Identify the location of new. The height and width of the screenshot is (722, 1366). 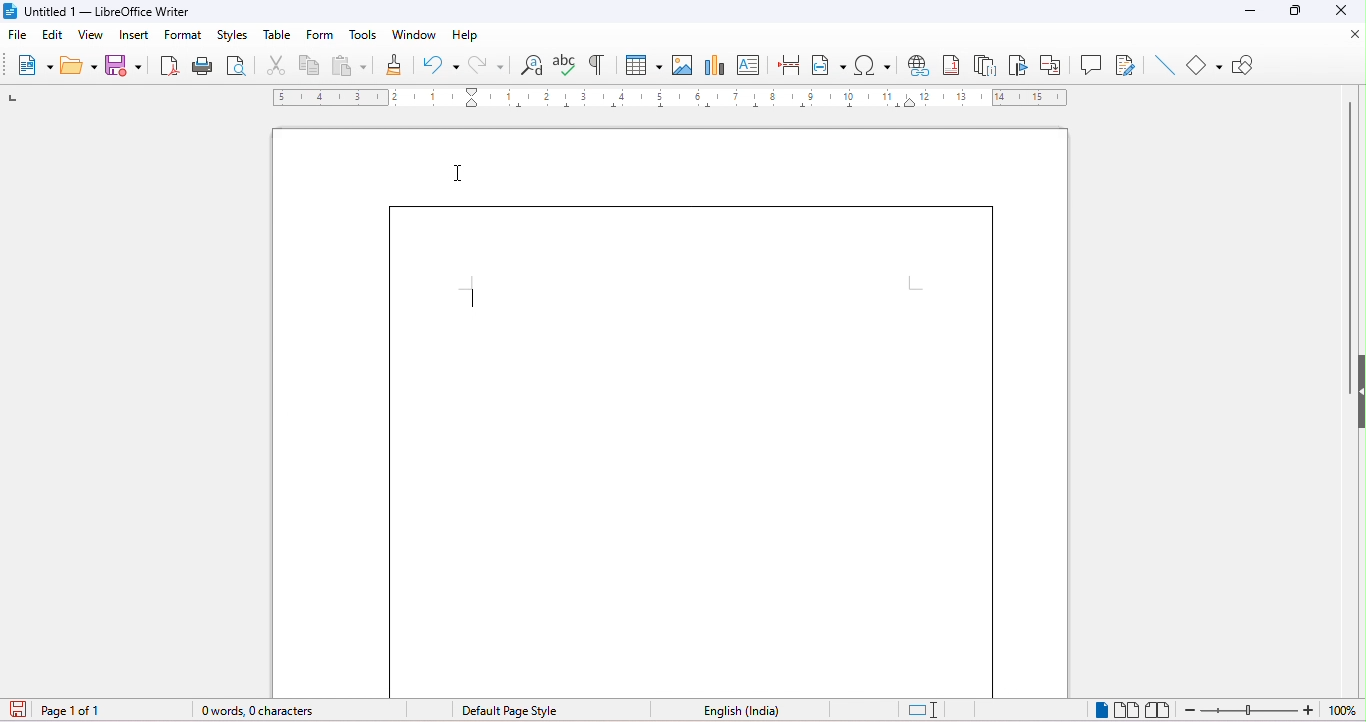
(34, 69).